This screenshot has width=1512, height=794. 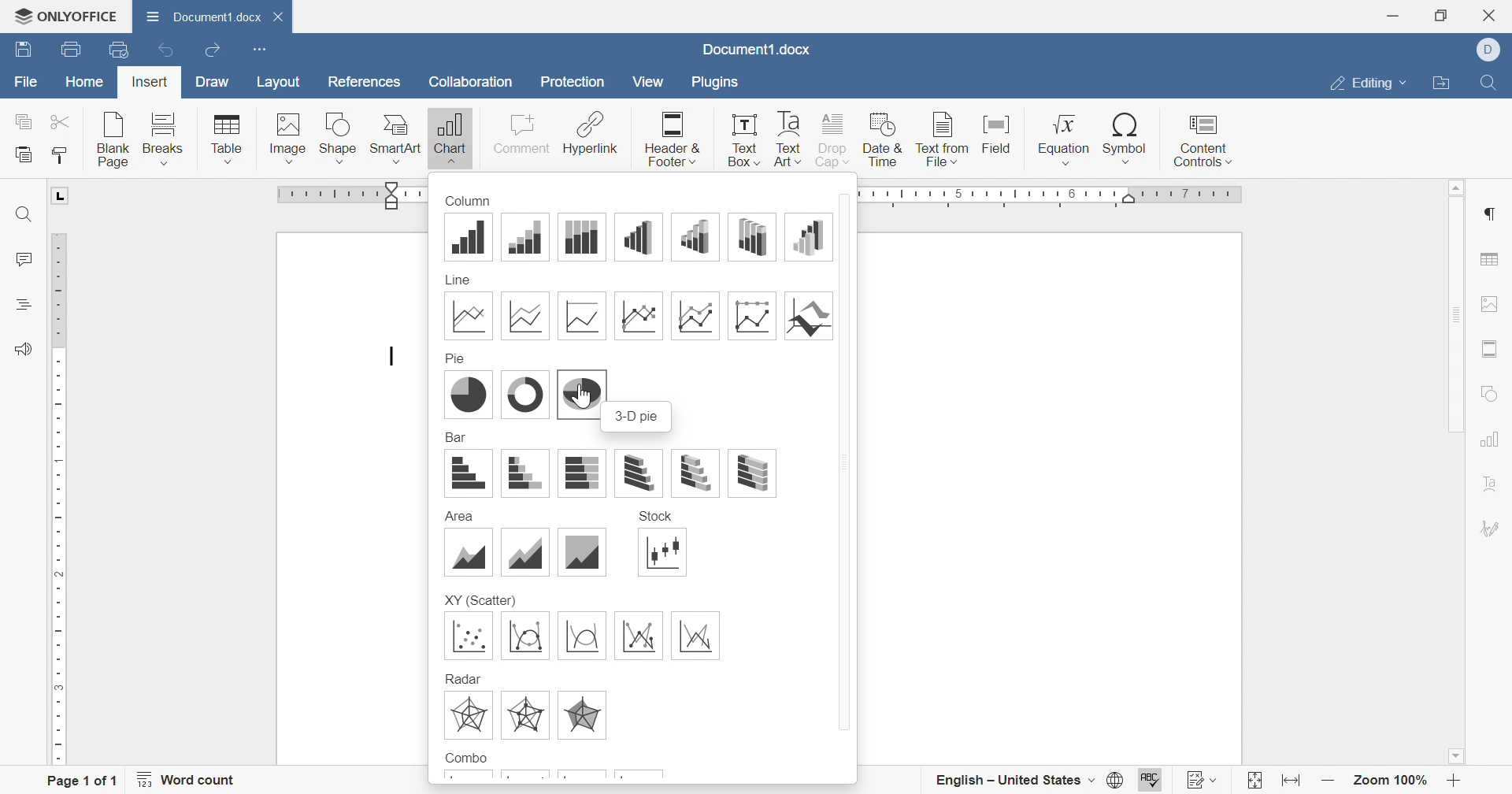 I want to click on Collaboration, so click(x=471, y=84).